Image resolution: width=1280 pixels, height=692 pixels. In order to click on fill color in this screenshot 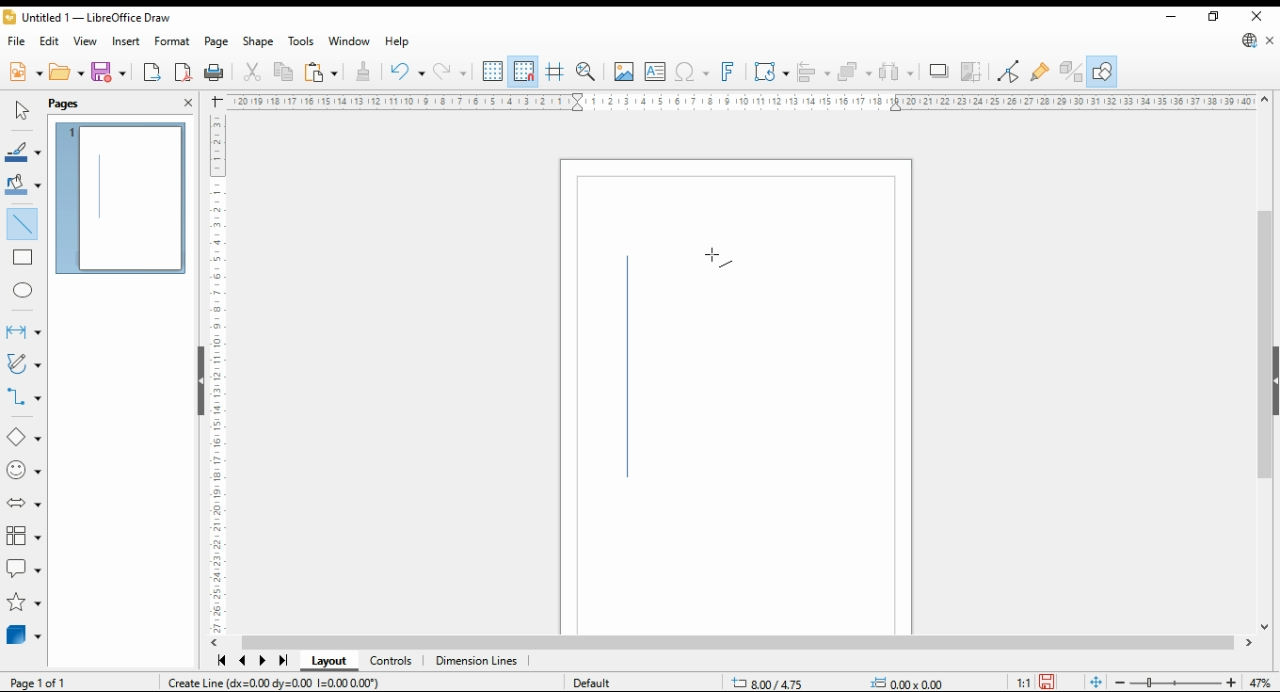, I will do `click(22, 183)`.